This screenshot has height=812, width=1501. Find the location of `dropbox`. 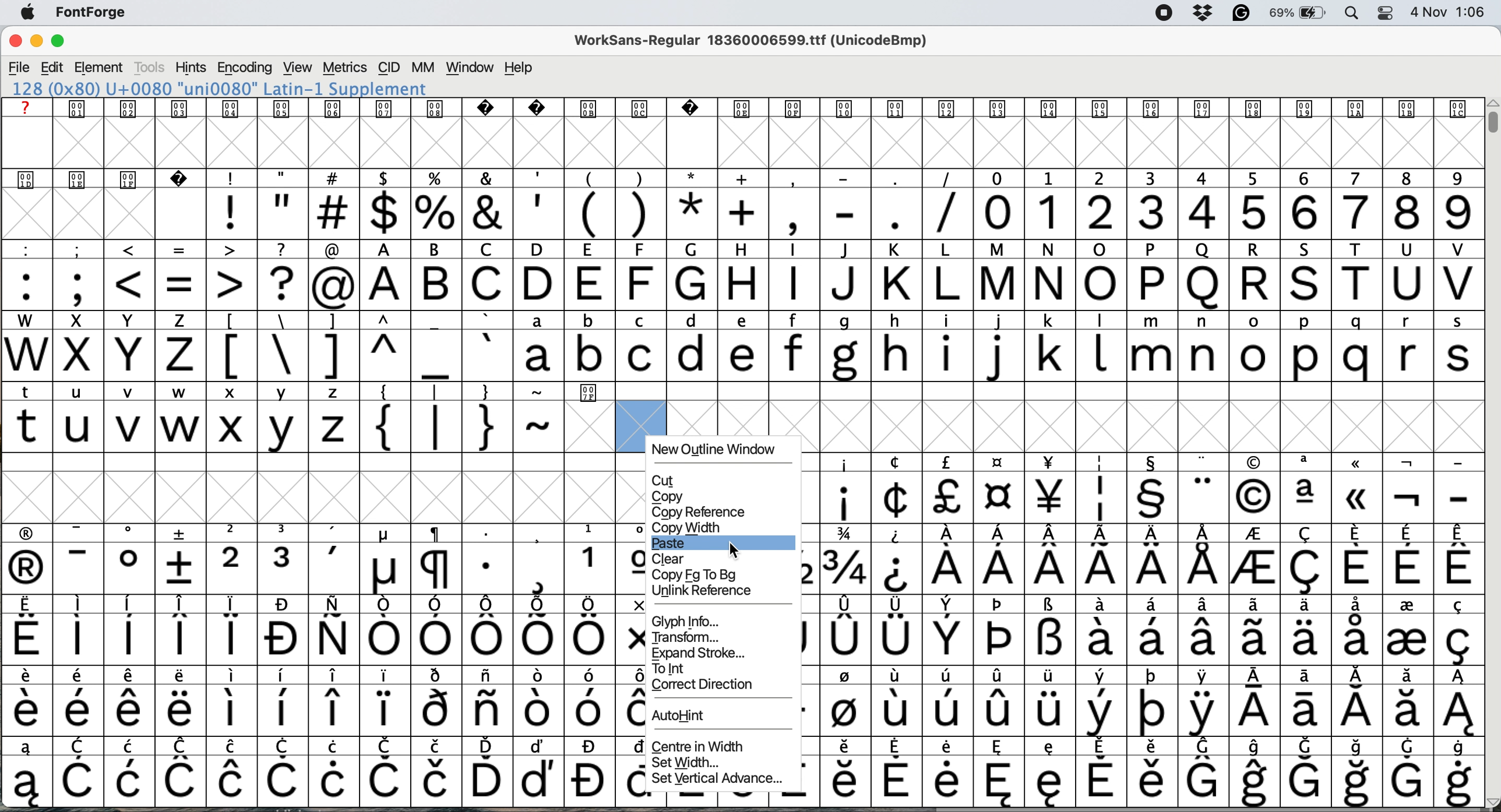

dropbox is located at coordinates (1201, 13).